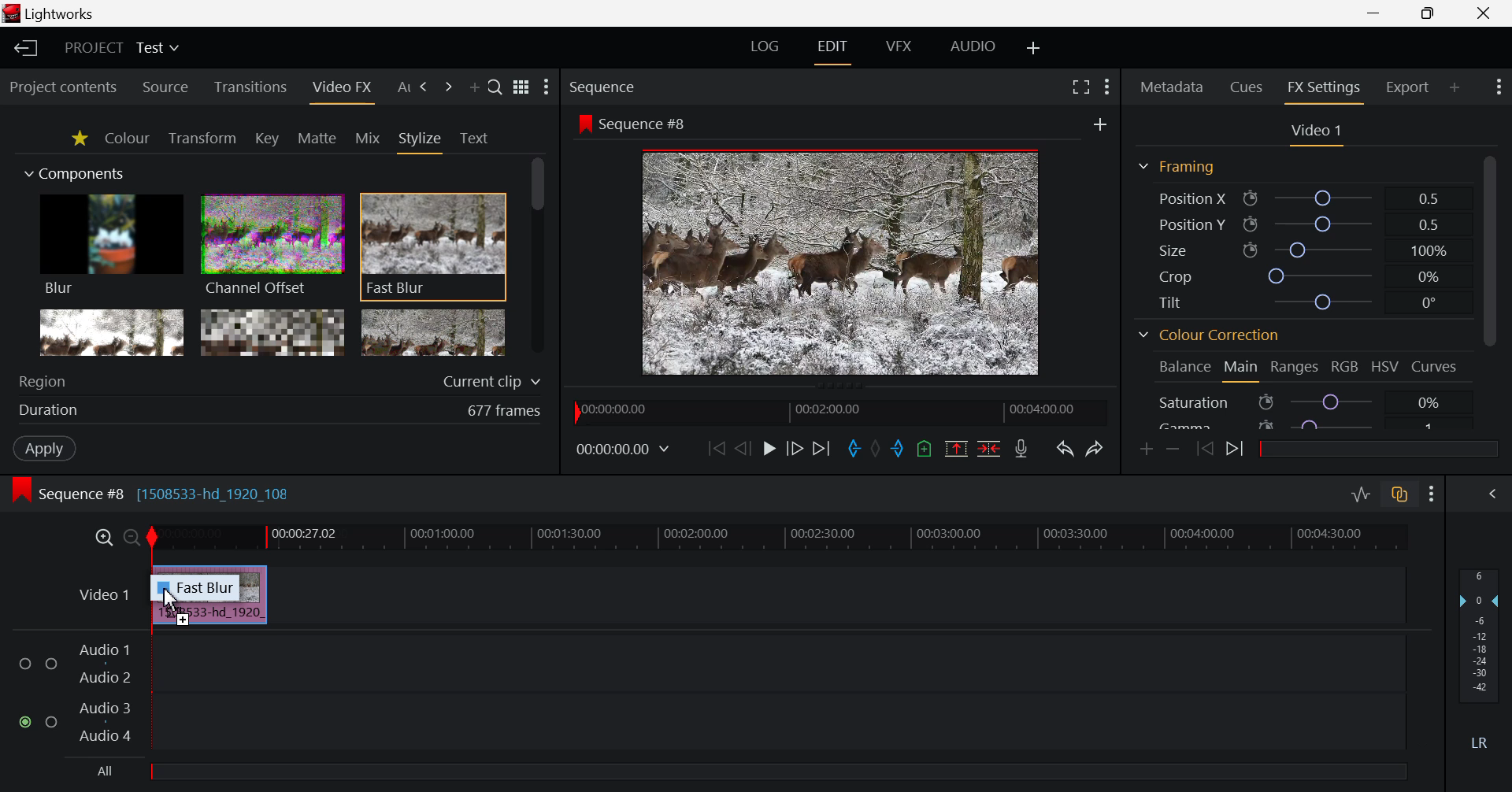 This screenshot has width=1512, height=792. Describe the element at coordinates (165, 495) in the screenshot. I see `Sequence #8 [1508533-hd_1920_108` at that location.